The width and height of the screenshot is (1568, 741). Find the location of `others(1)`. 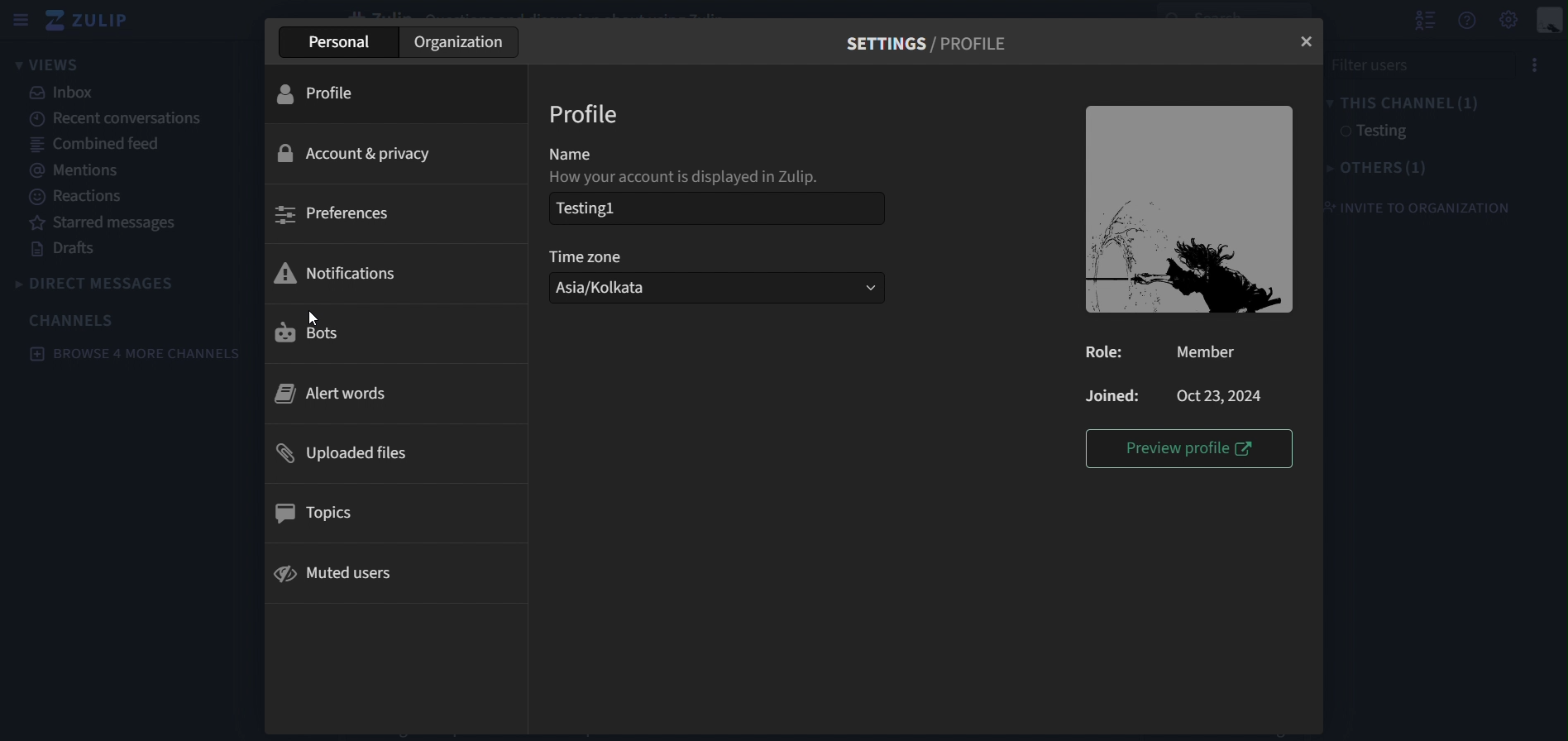

others(1) is located at coordinates (1370, 169).